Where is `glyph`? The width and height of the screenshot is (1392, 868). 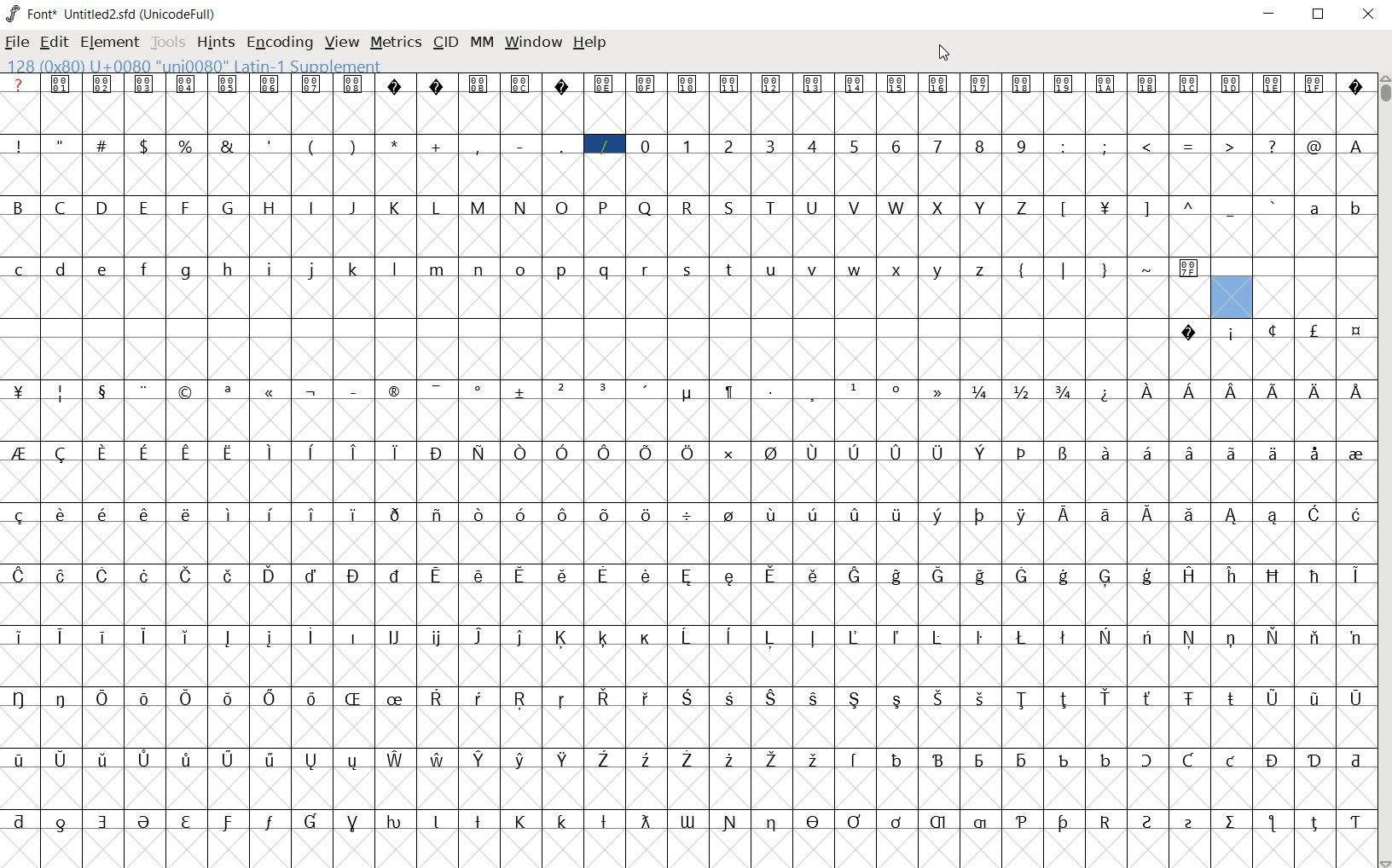
glyph is located at coordinates (230, 514).